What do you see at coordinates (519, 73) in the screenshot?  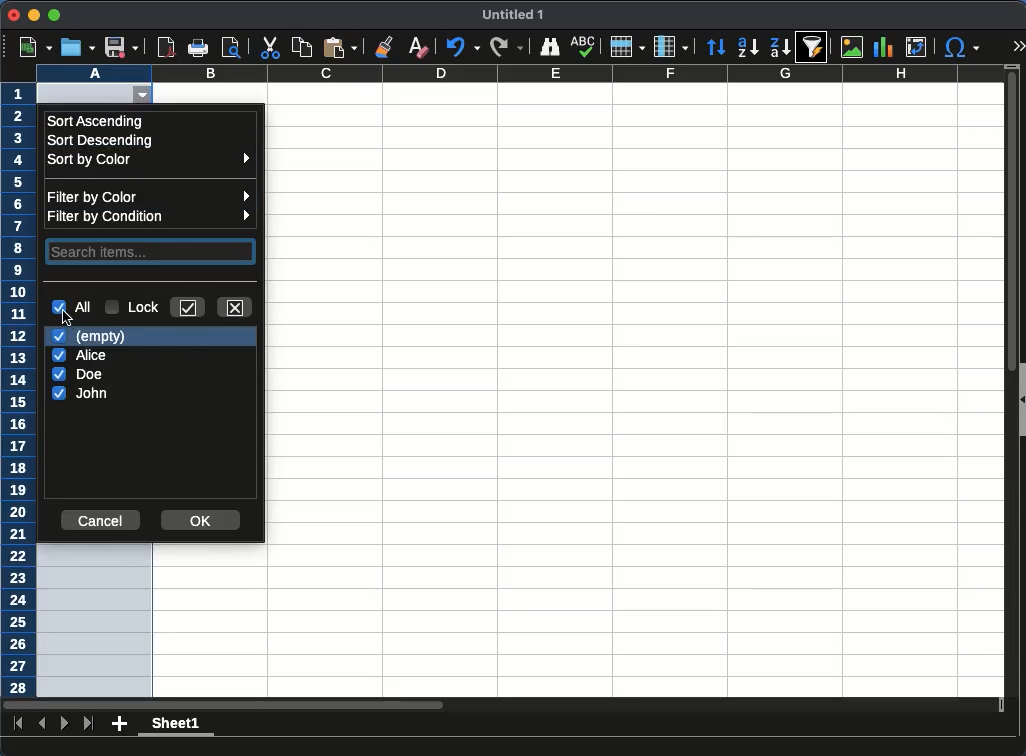 I see `column` at bounding box center [519, 73].